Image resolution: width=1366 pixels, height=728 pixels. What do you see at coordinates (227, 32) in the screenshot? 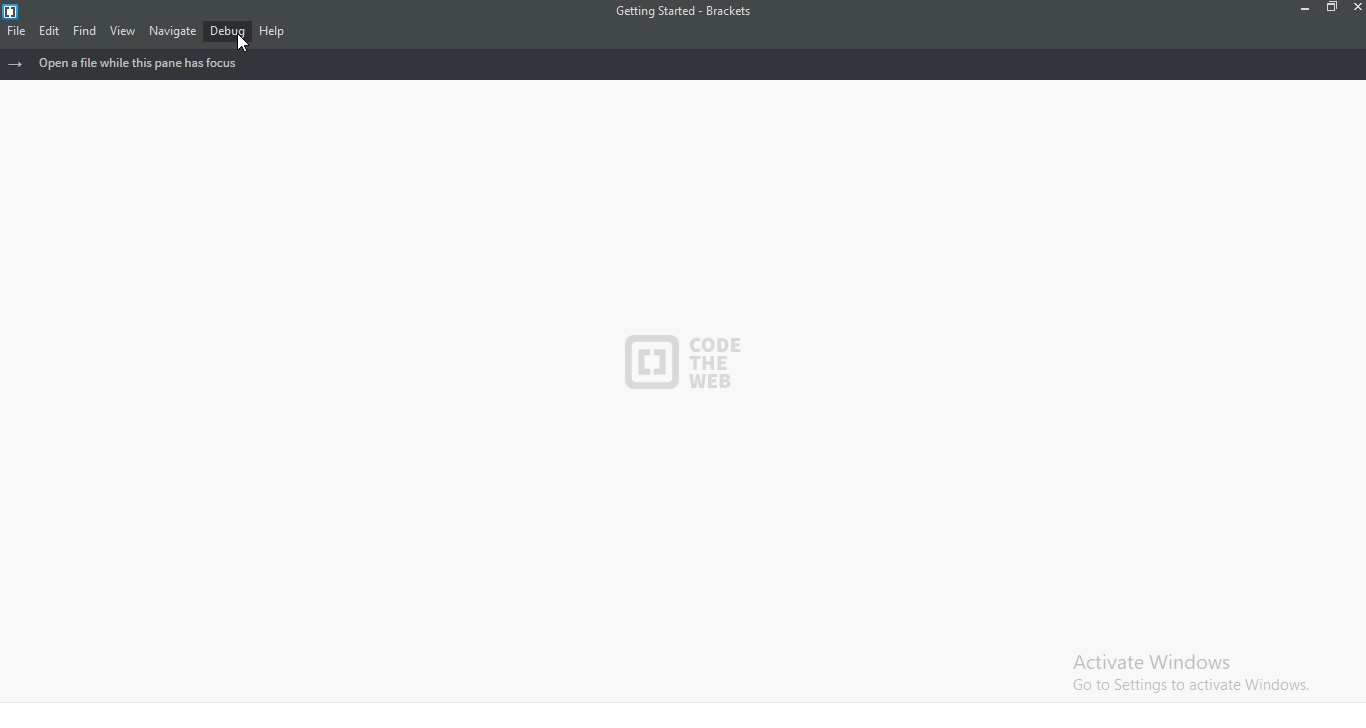
I see `debug` at bounding box center [227, 32].